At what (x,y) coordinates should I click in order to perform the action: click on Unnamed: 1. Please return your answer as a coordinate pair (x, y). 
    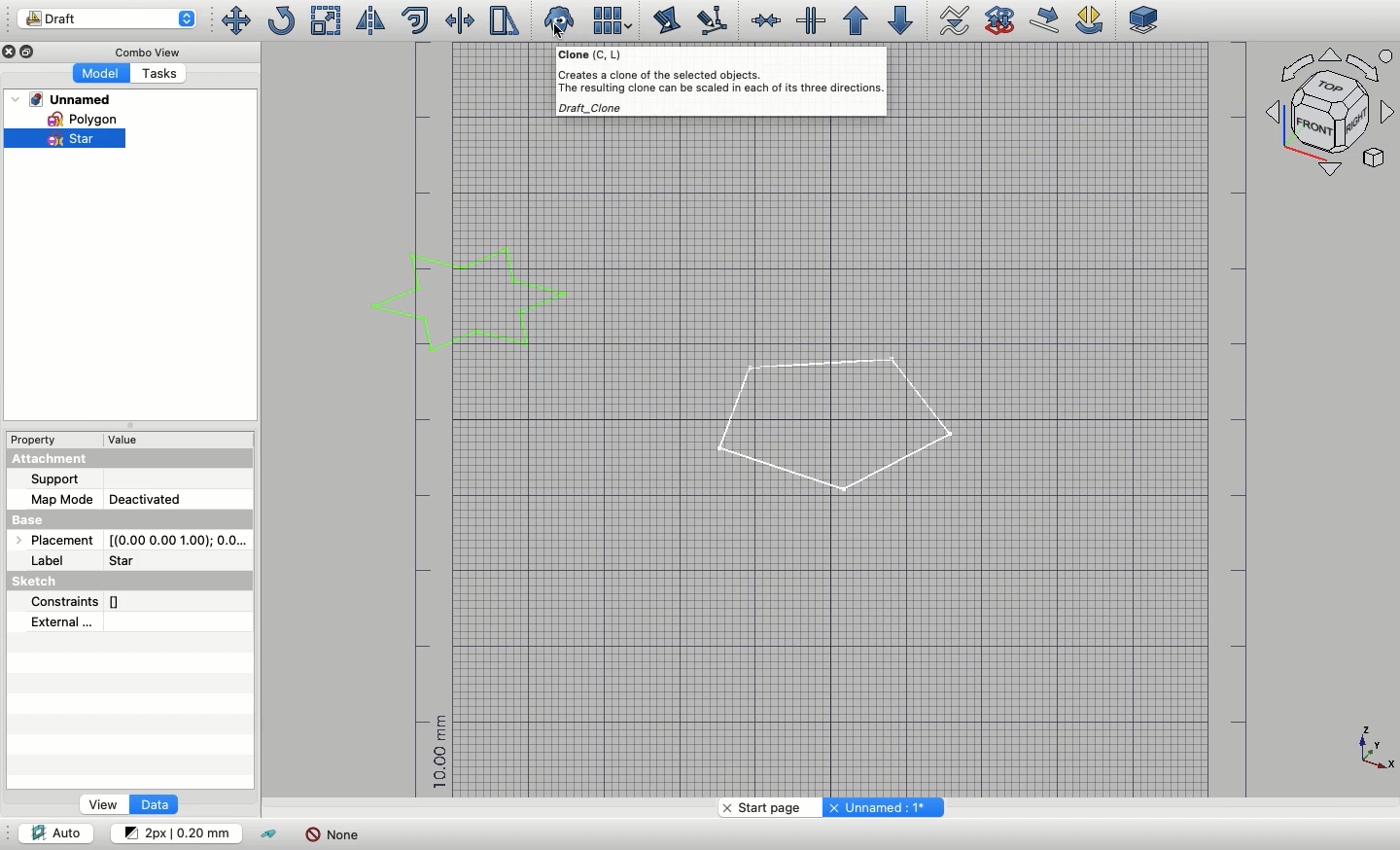
    Looking at the image, I should click on (881, 807).